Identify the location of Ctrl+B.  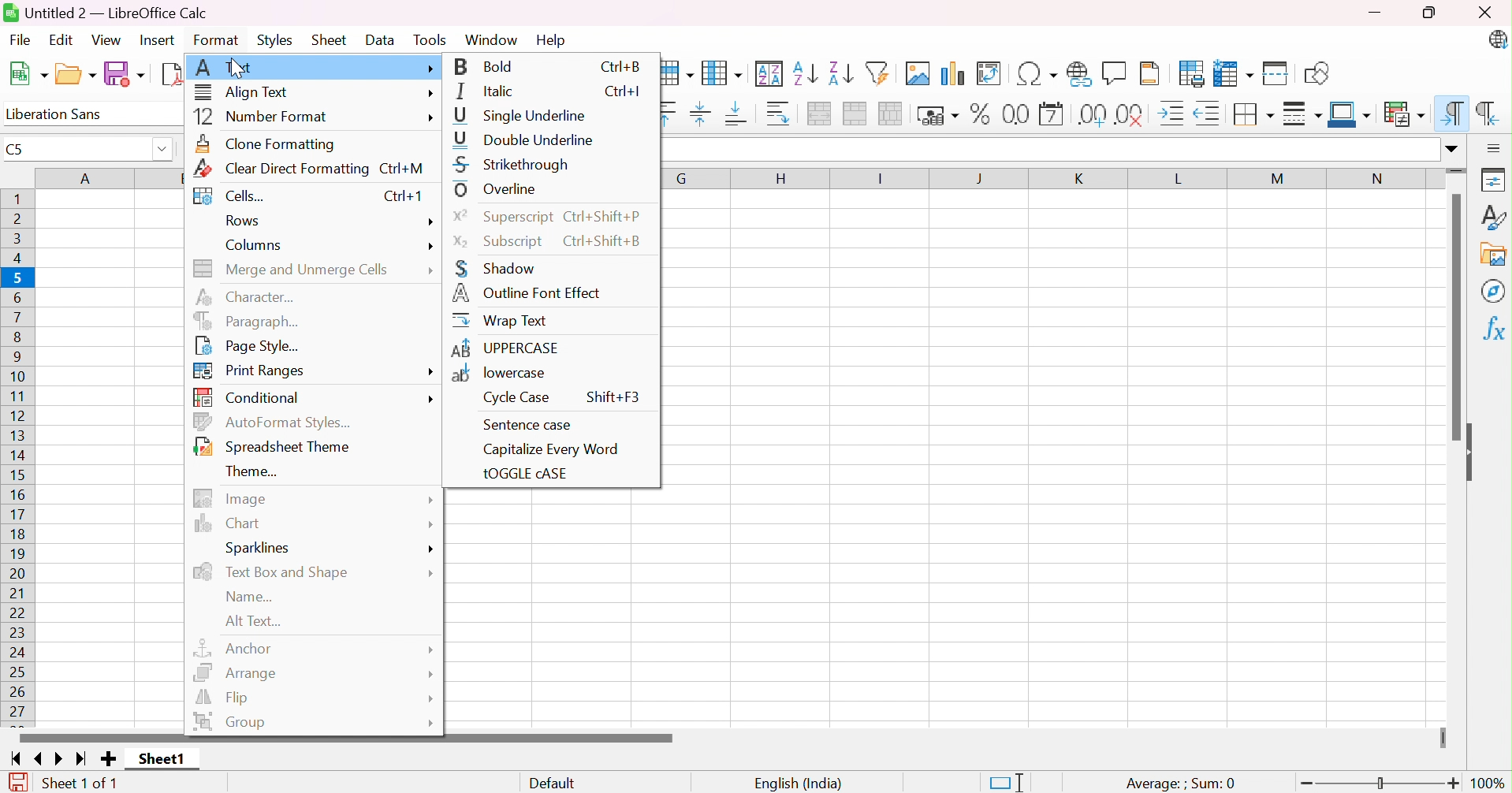
(622, 65).